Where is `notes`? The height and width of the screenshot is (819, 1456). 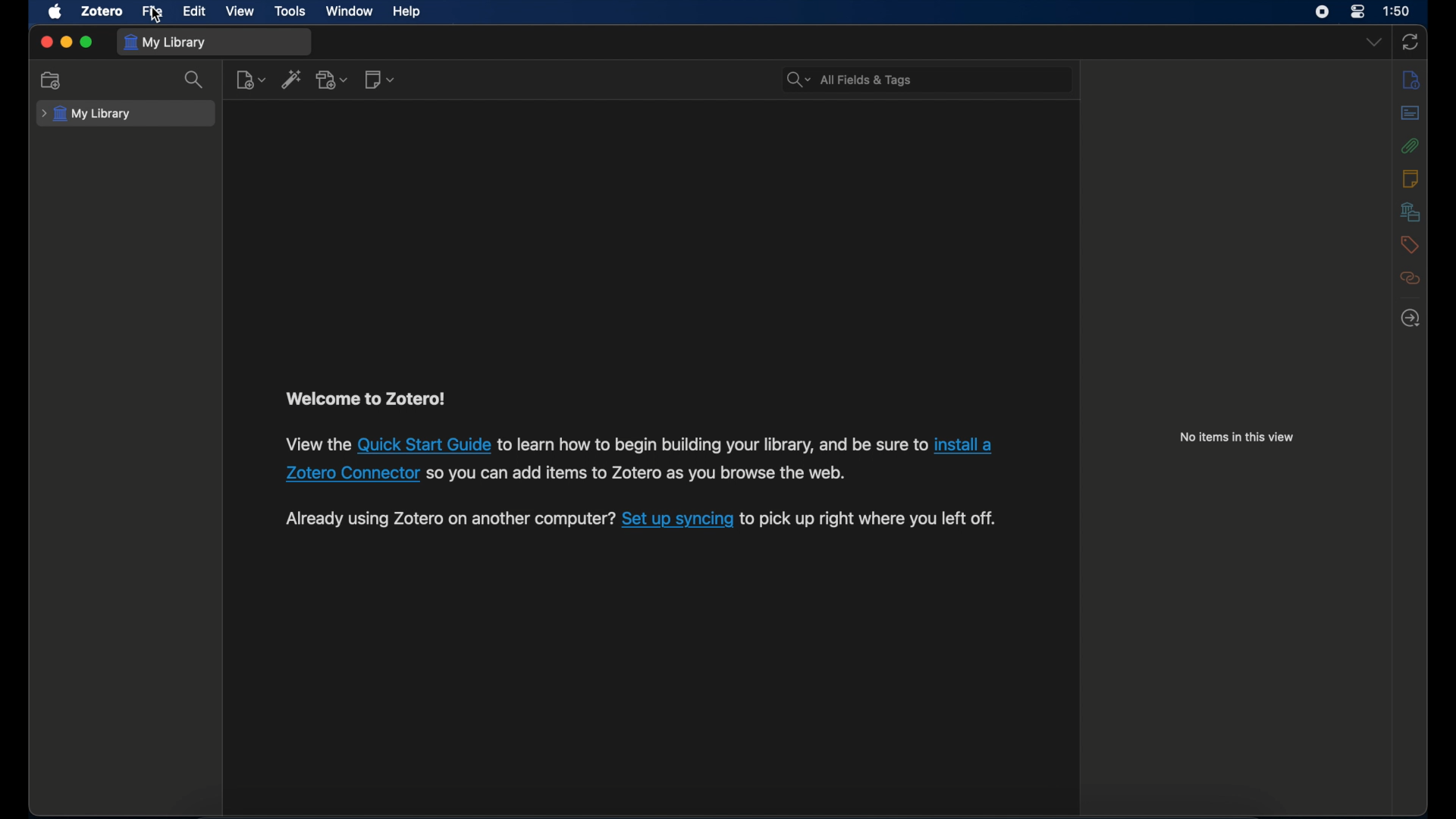
notes is located at coordinates (1411, 178).